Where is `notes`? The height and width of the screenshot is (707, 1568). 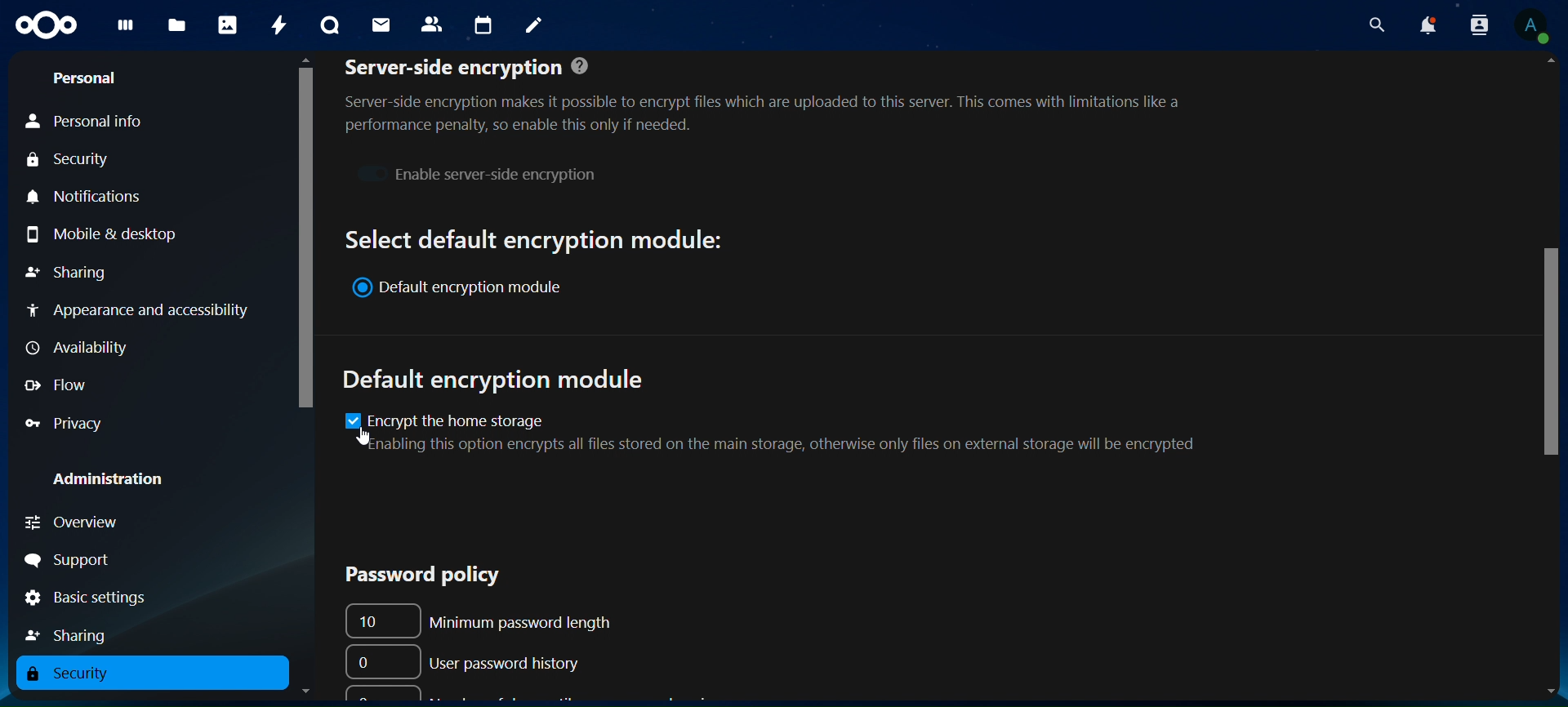 notes is located at coordinates (529, 23).